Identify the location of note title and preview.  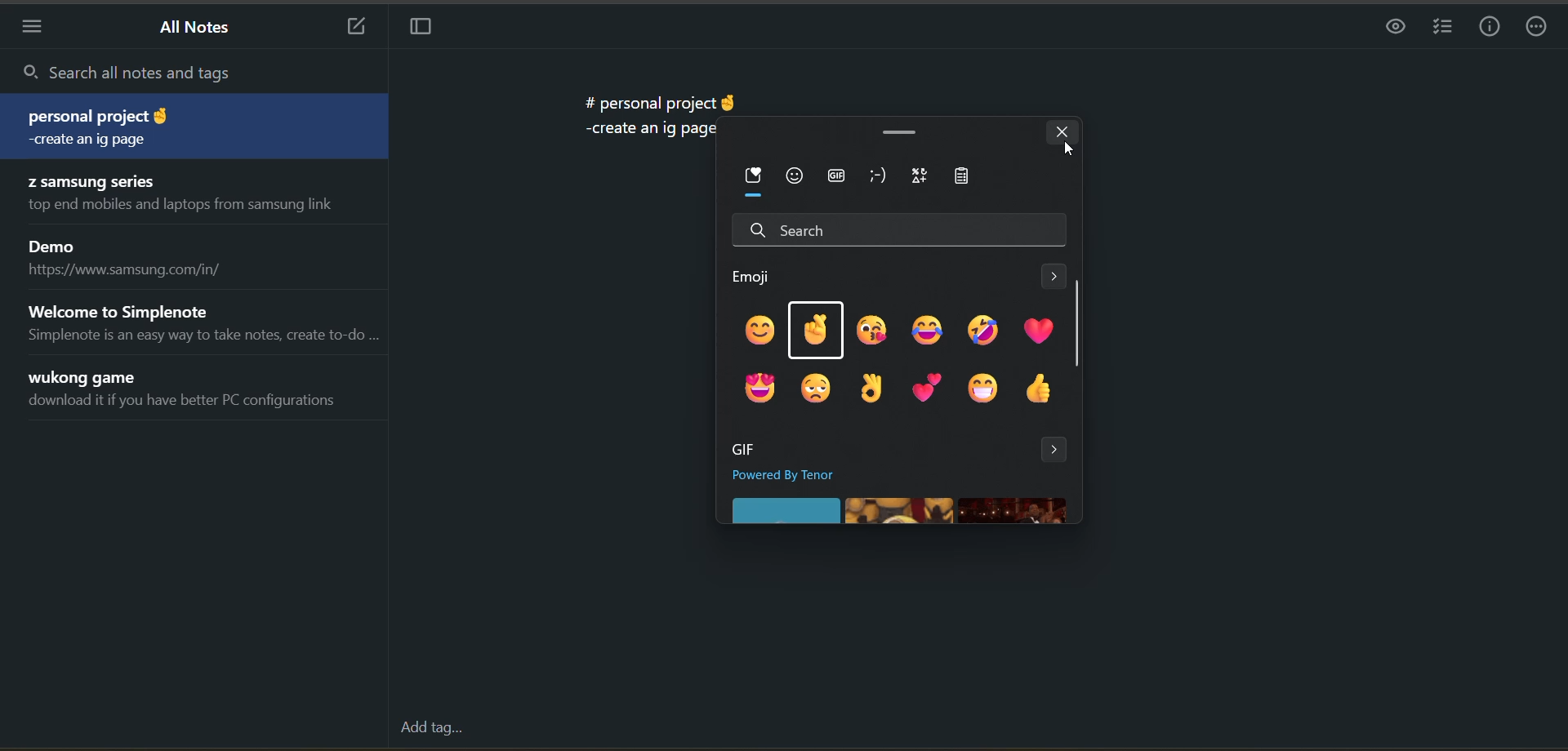
(189, 125).